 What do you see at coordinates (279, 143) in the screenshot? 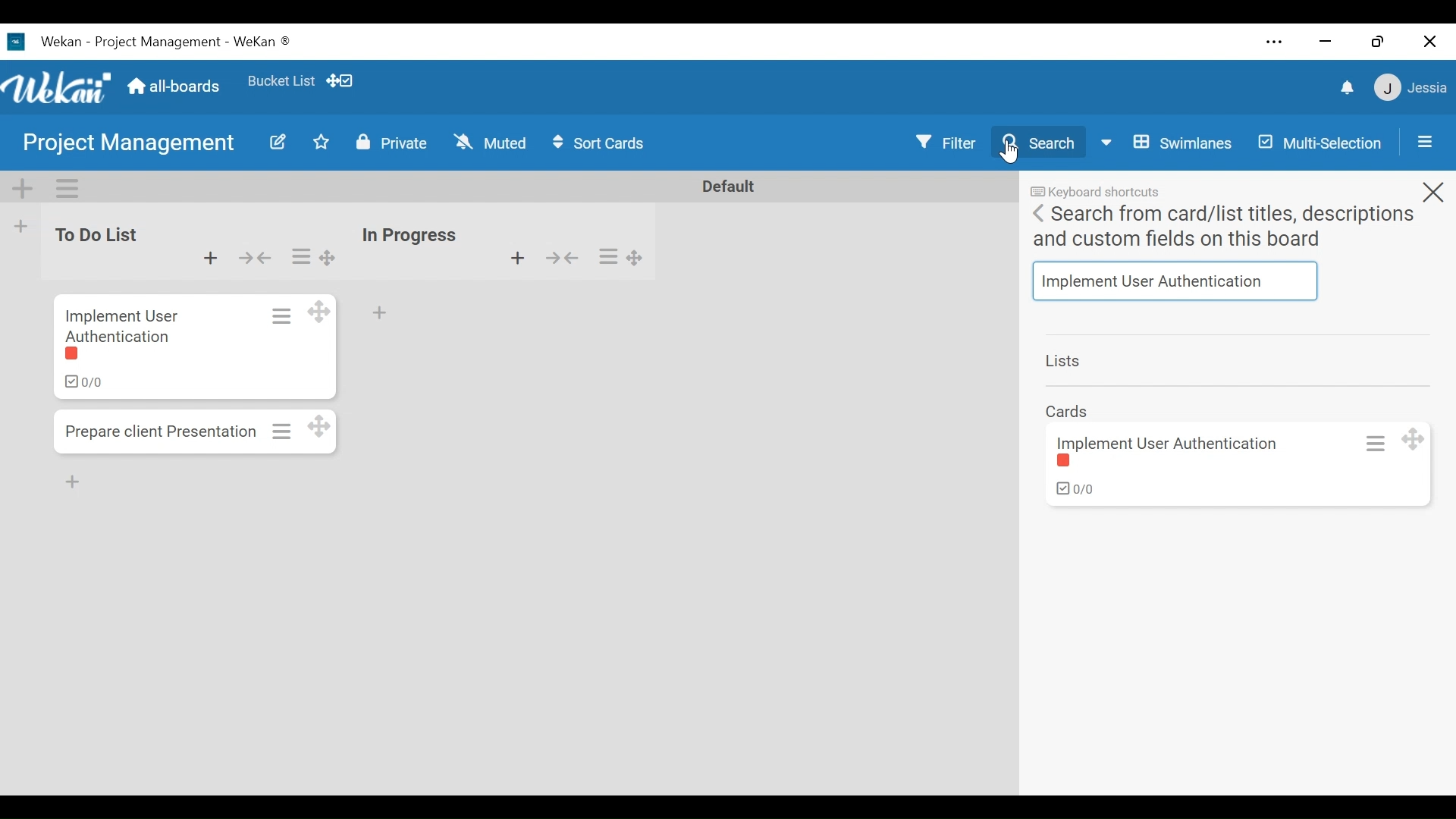
I see `Edit` at bounding box center [279, 143].